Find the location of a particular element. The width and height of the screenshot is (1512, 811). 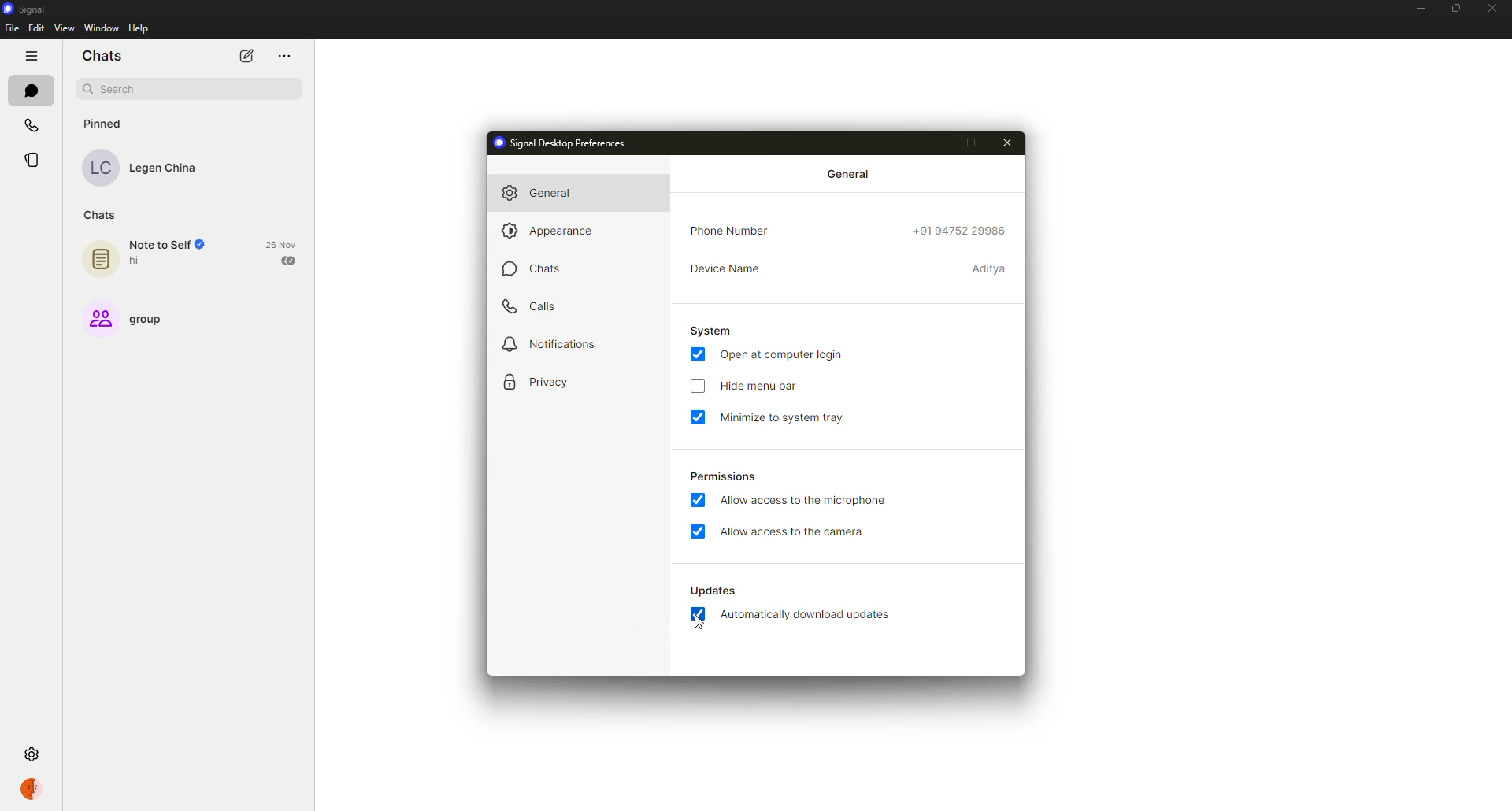

enabled is located at coordinates (698, 416).